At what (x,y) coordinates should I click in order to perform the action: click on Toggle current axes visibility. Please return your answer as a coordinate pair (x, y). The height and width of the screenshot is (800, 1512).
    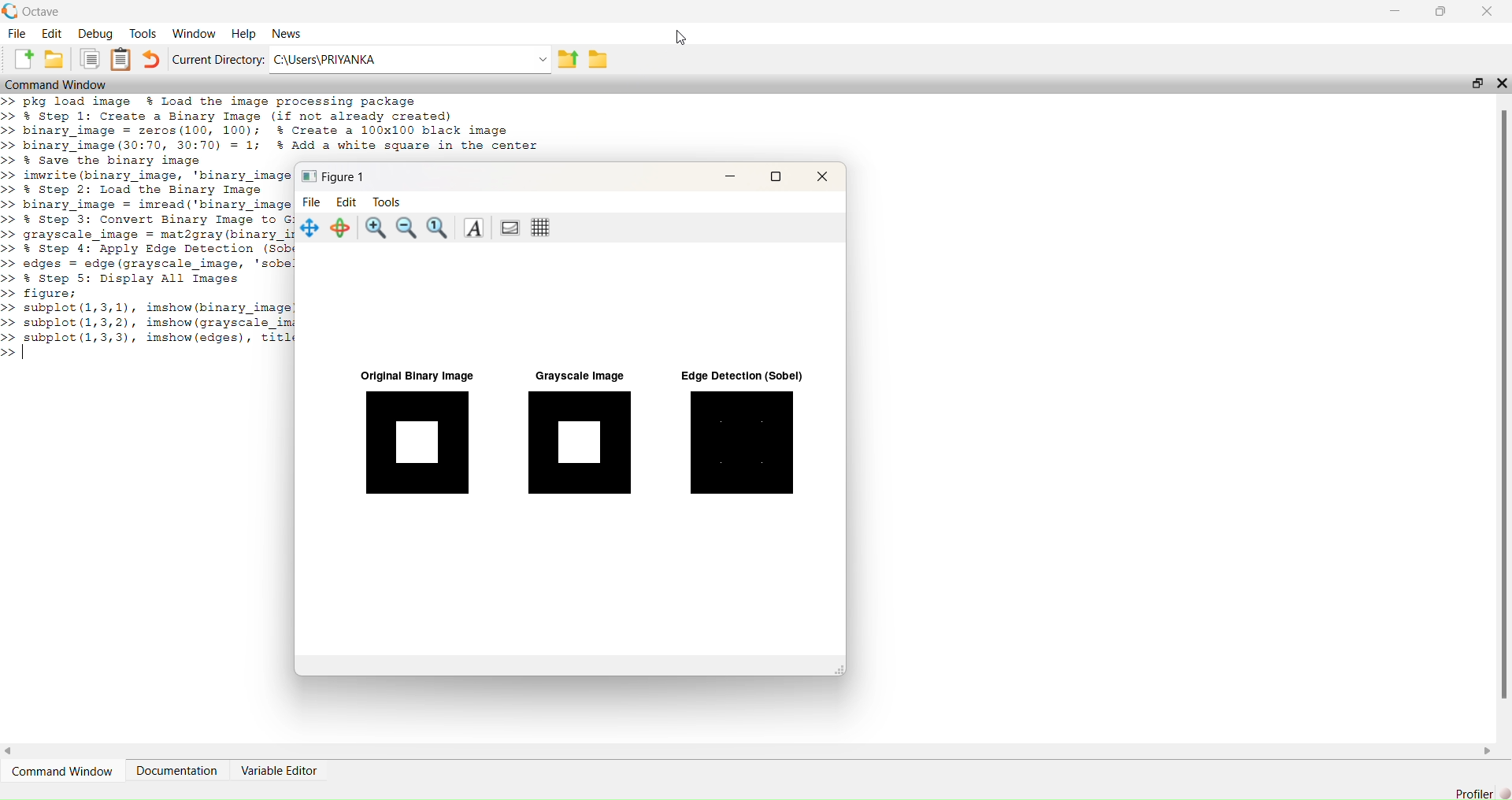
    Looking at the image, I should click on (510, 227).